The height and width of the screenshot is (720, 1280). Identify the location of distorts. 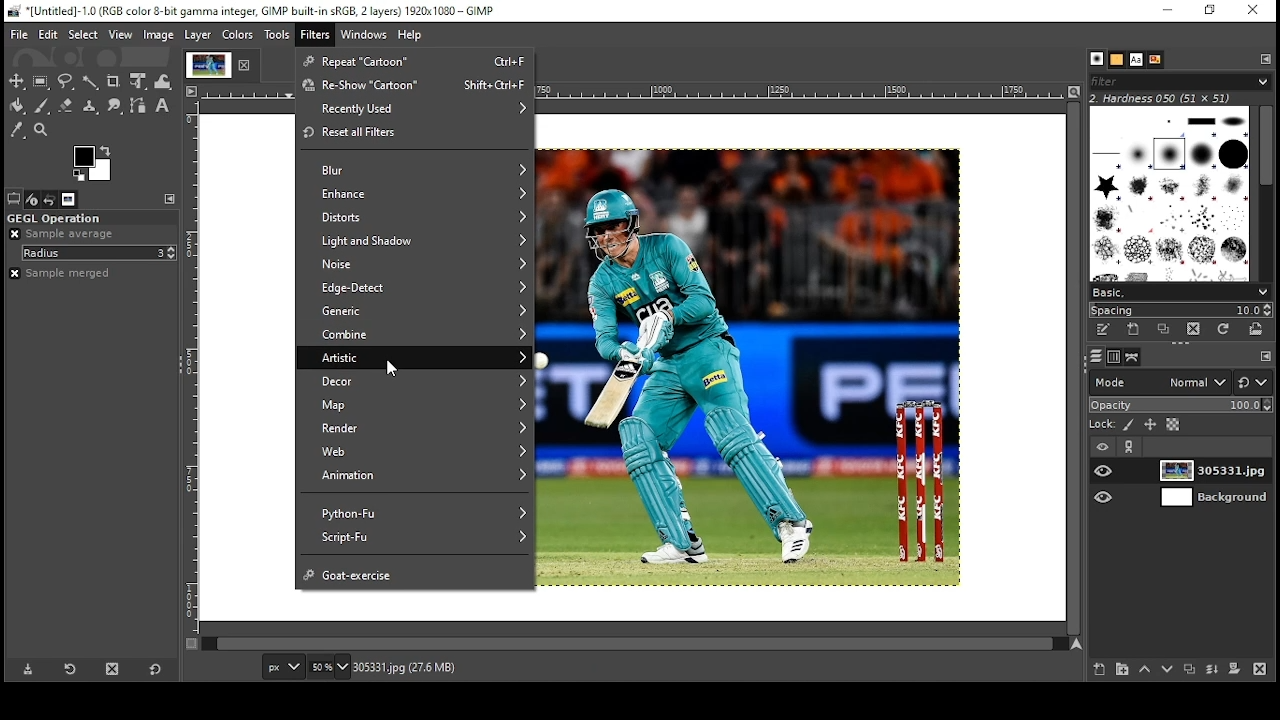
(414, 216).